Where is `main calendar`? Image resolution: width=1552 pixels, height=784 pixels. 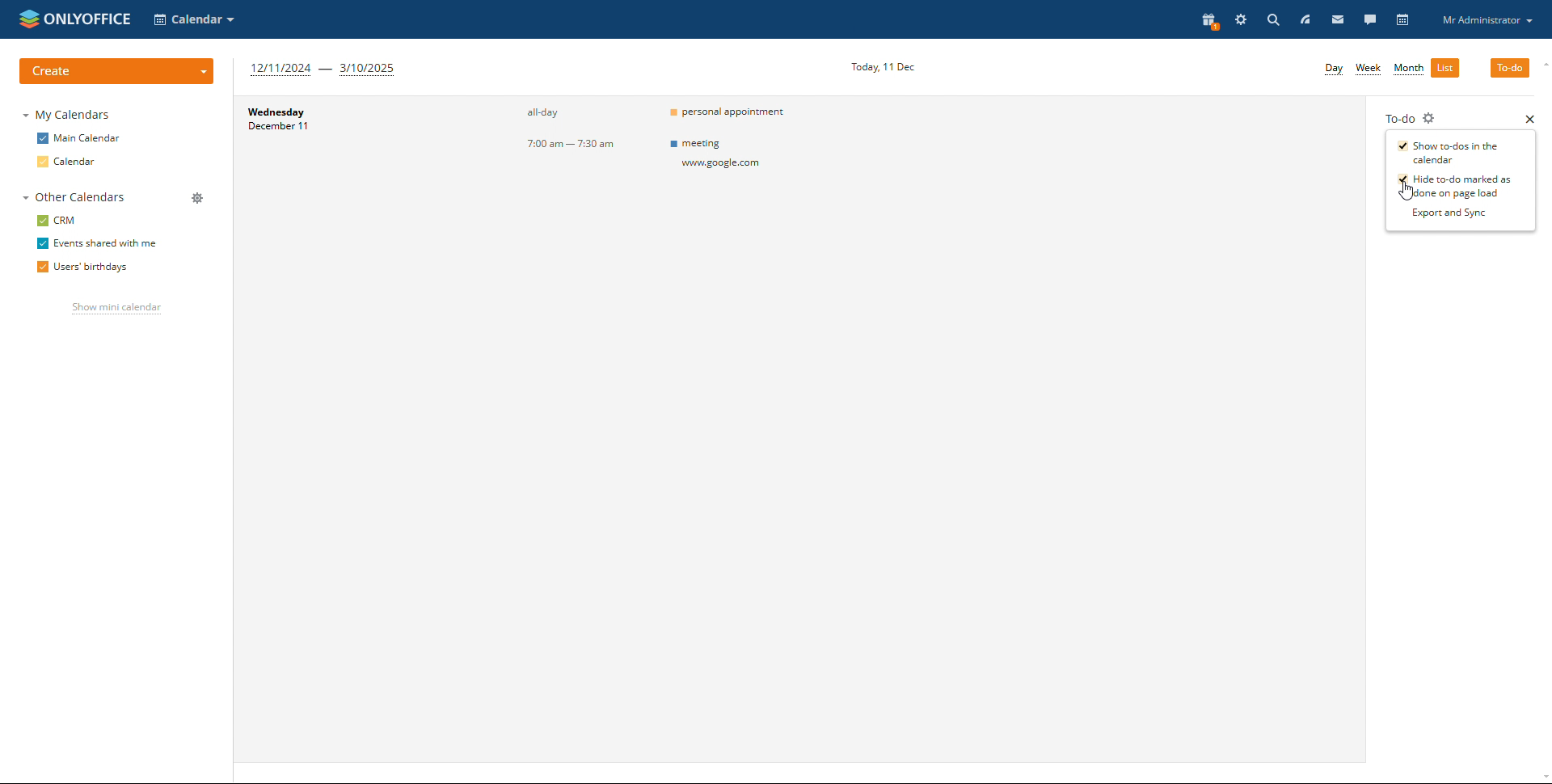 main calendar is located at coordinates (76, 138).